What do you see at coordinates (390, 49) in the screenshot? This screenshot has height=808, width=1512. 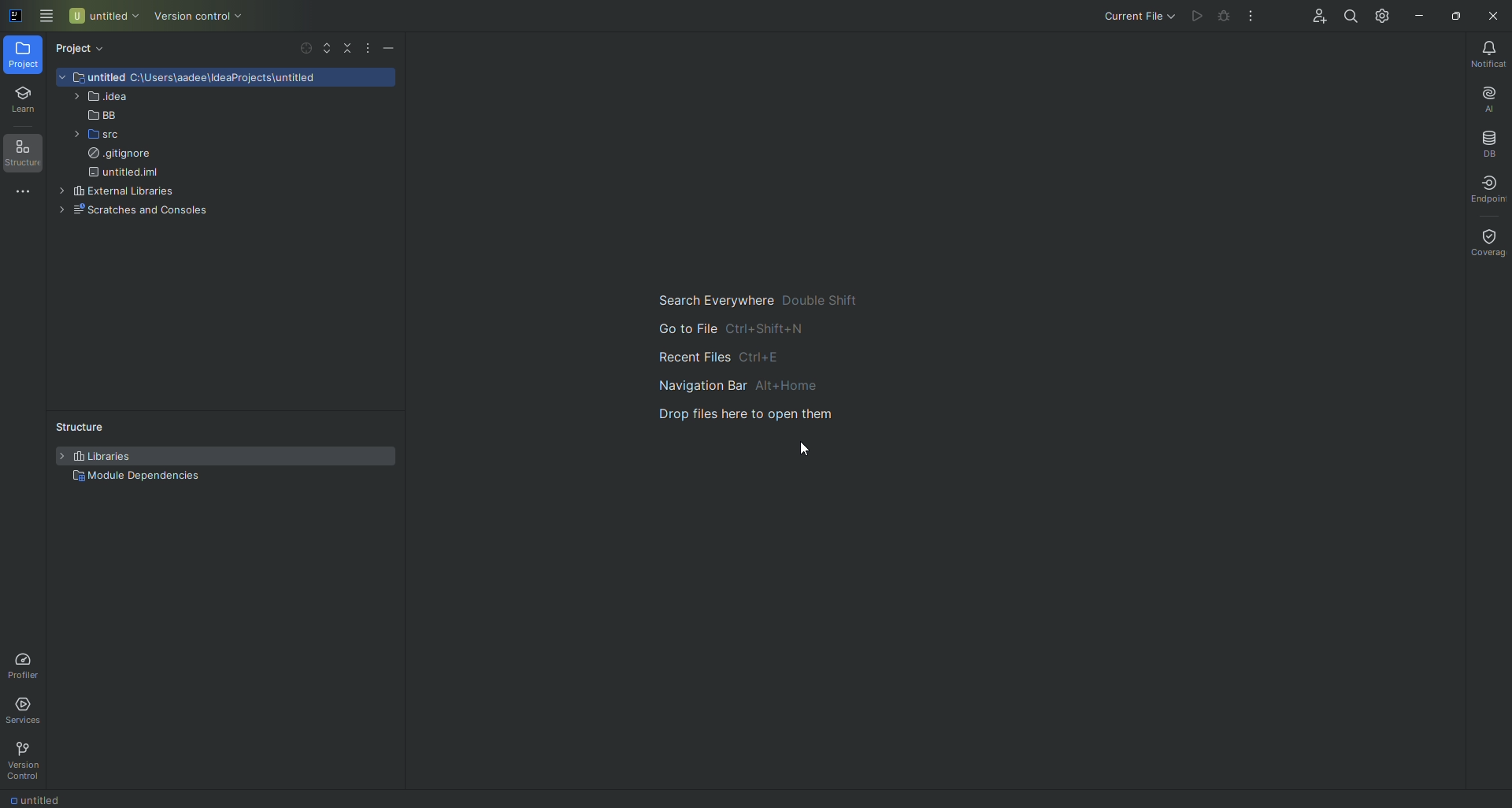 I see `Hide` at bounding box center [390, 49].